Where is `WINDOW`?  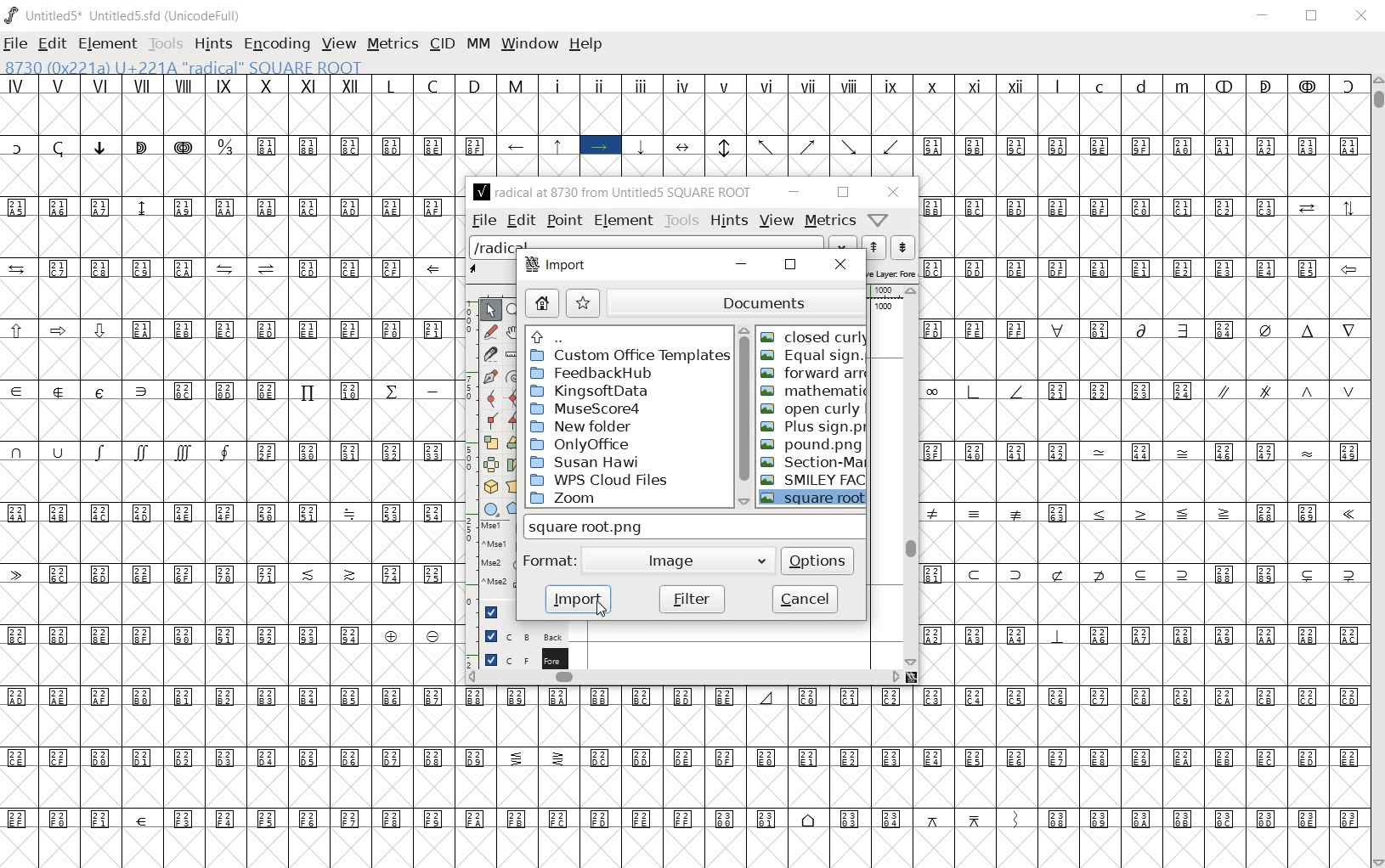
WINDOW is located at coordinates (530, 45).